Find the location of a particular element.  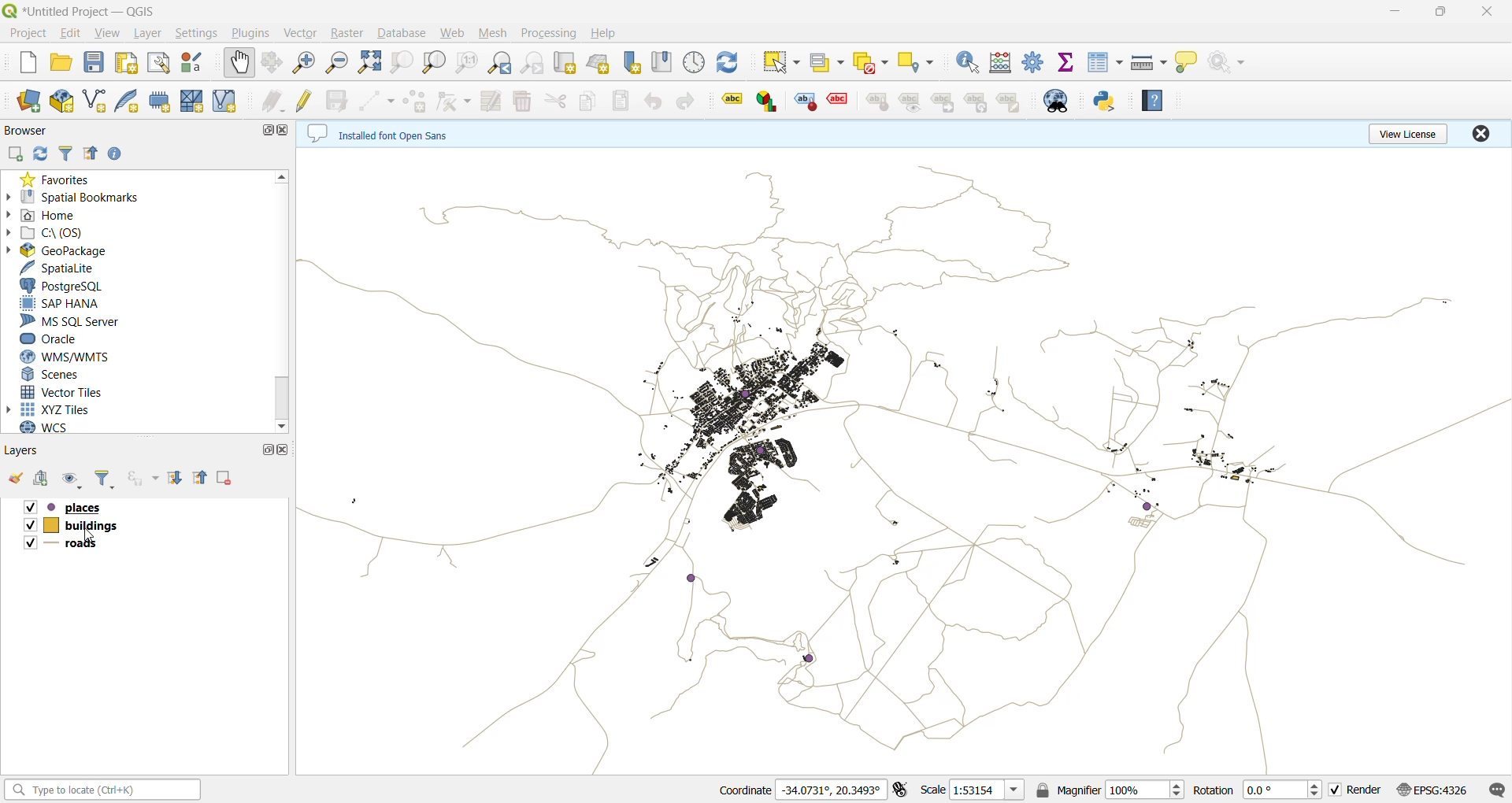

vector is located at coordinates (302, 33).